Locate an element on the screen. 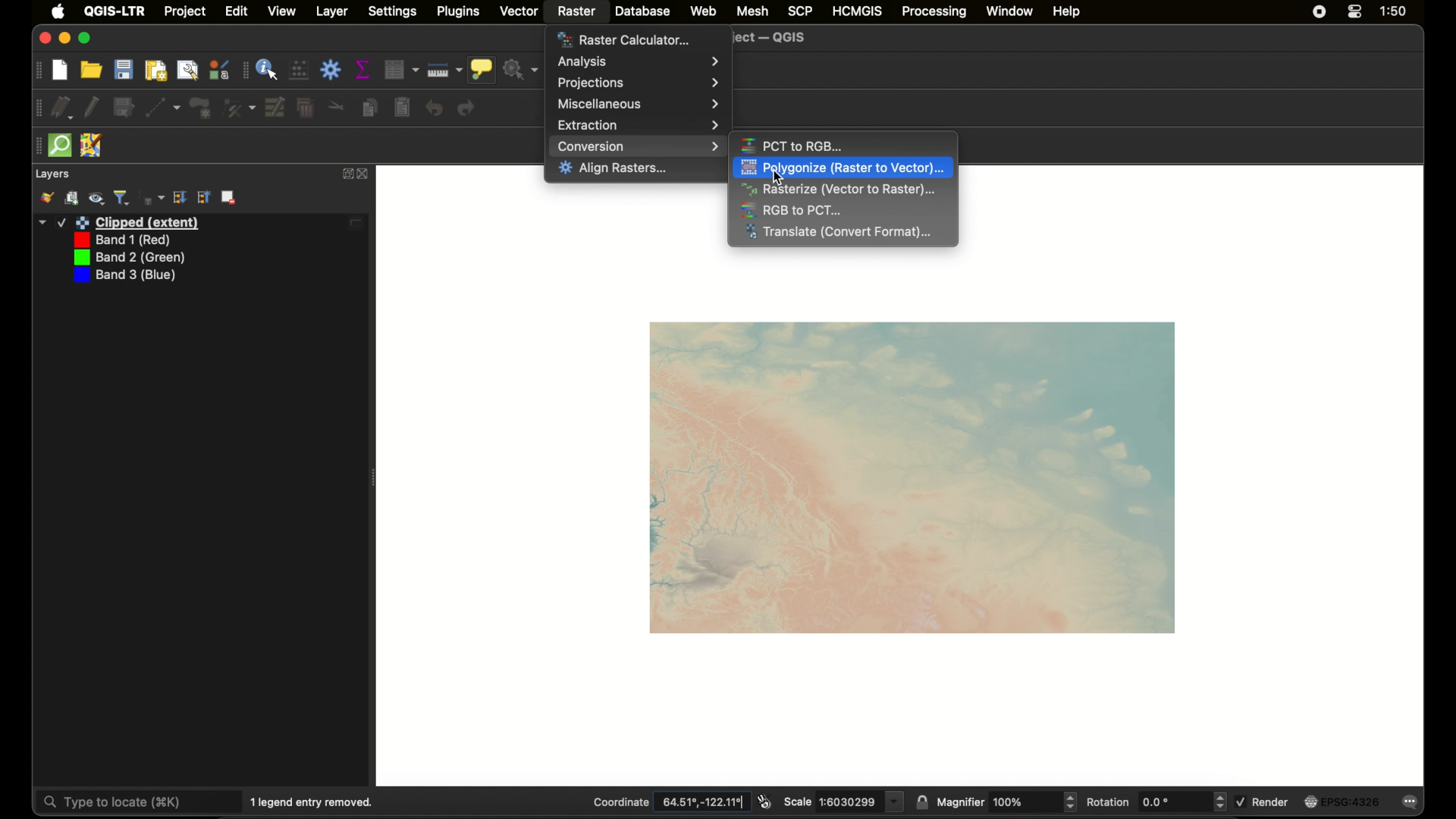  cut is located at coordinates (337, 105).